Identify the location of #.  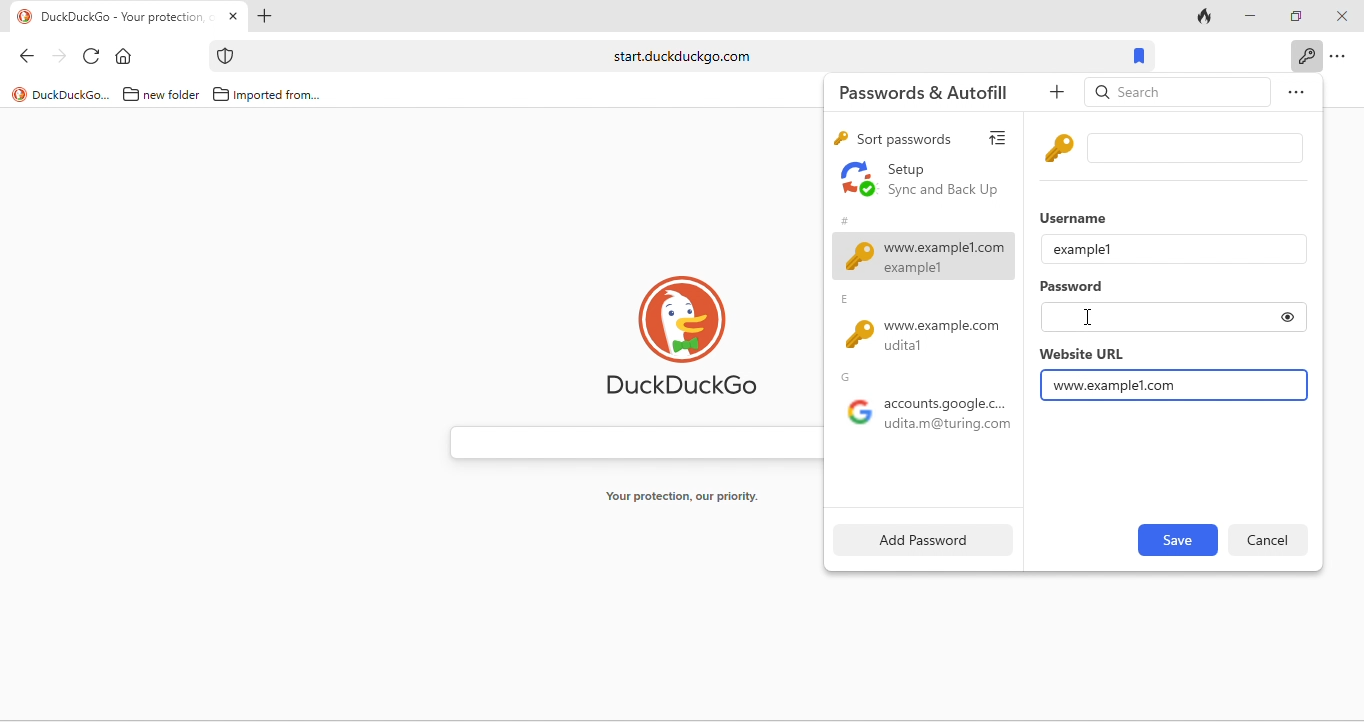
(844, 218).